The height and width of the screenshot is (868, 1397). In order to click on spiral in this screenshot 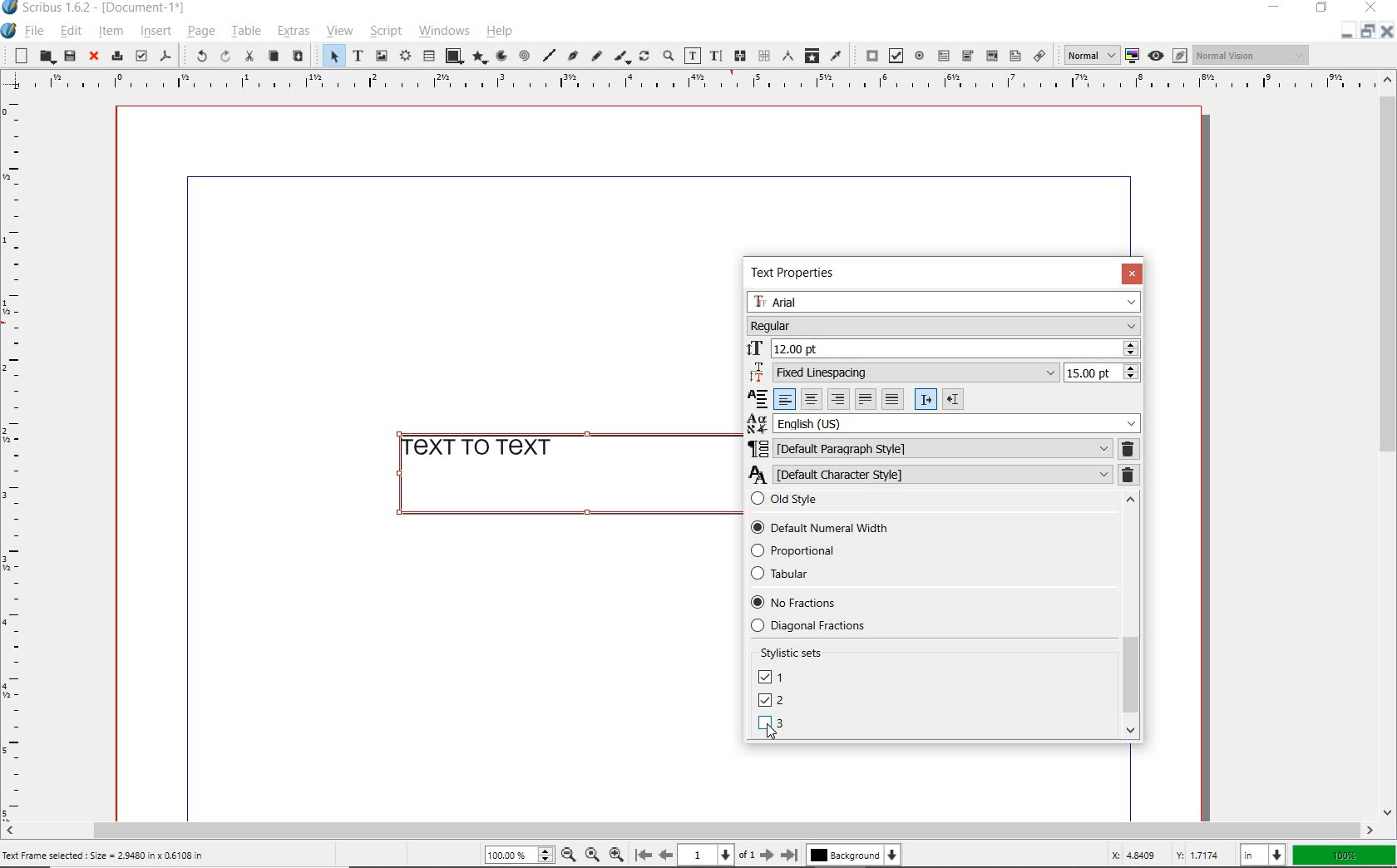, I will do `click(524, 57)`.